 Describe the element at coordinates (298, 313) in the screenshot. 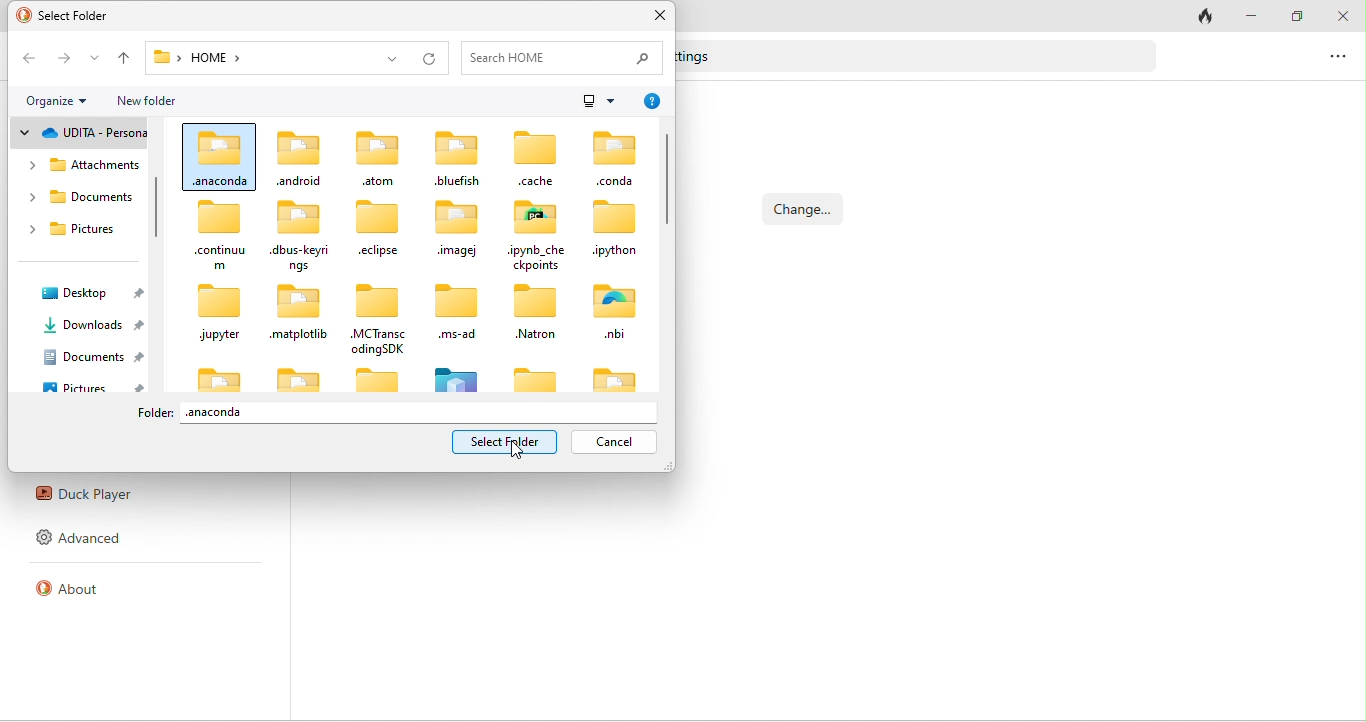

I see `.matplotlib` at that location.